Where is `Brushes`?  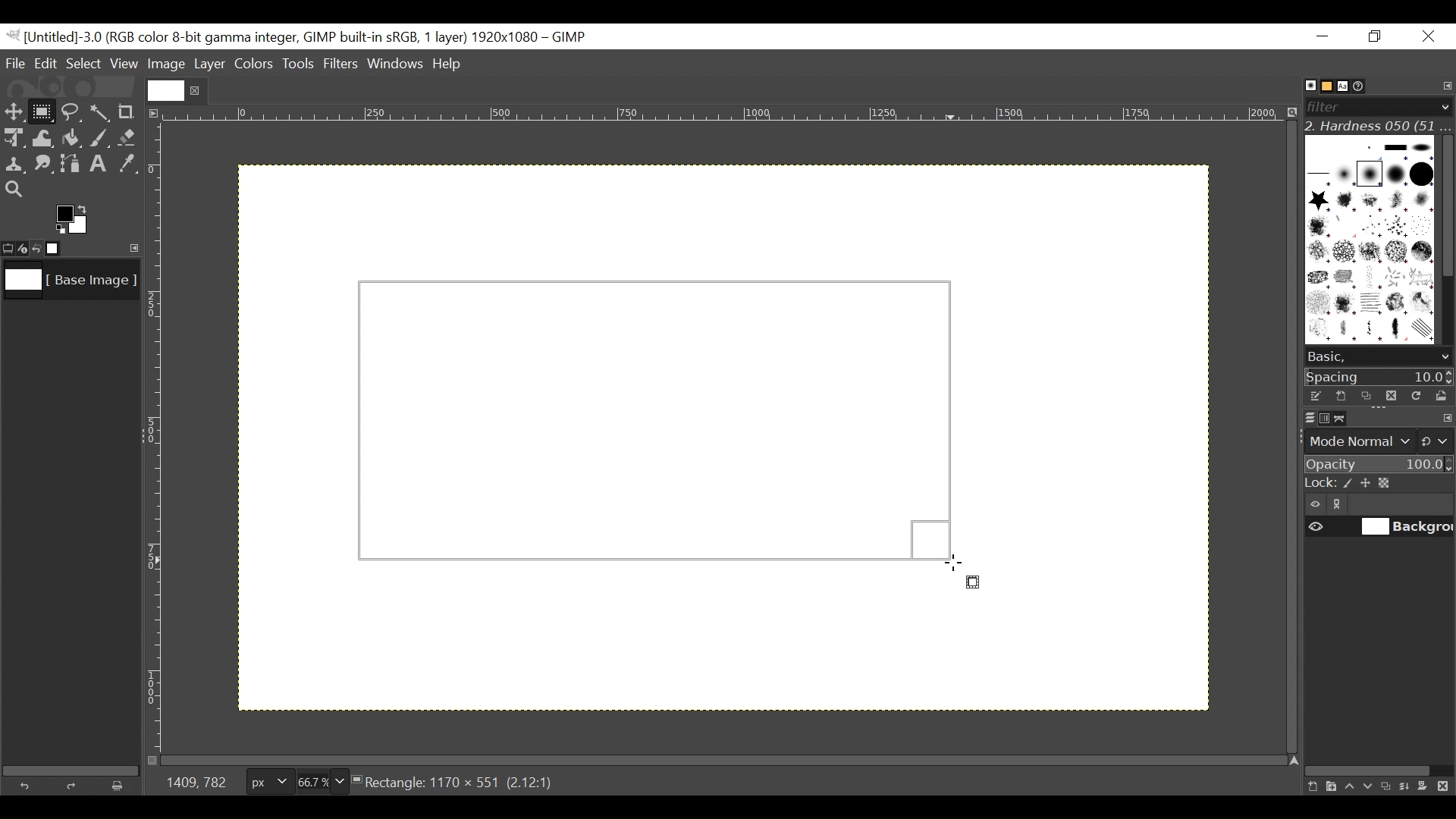
Brushes is located at coordinates (1303, 86).